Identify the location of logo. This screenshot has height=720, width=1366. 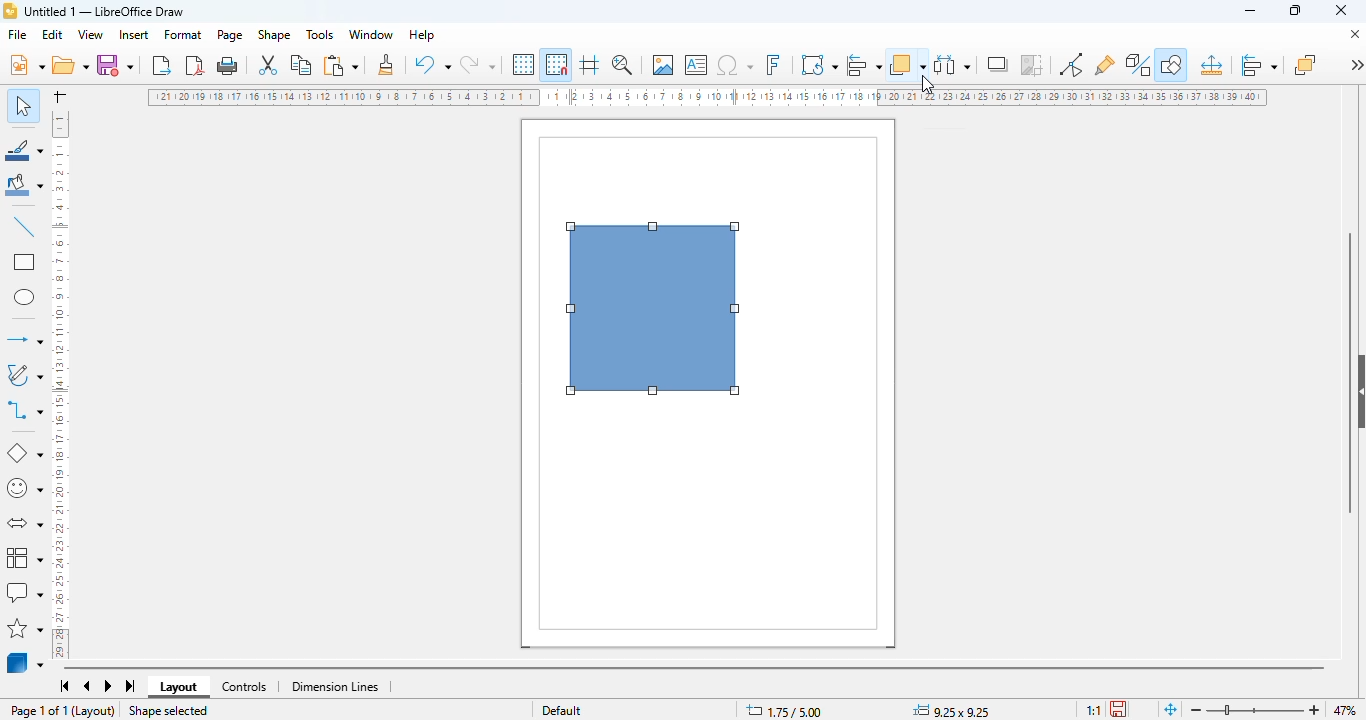
(10, 11).